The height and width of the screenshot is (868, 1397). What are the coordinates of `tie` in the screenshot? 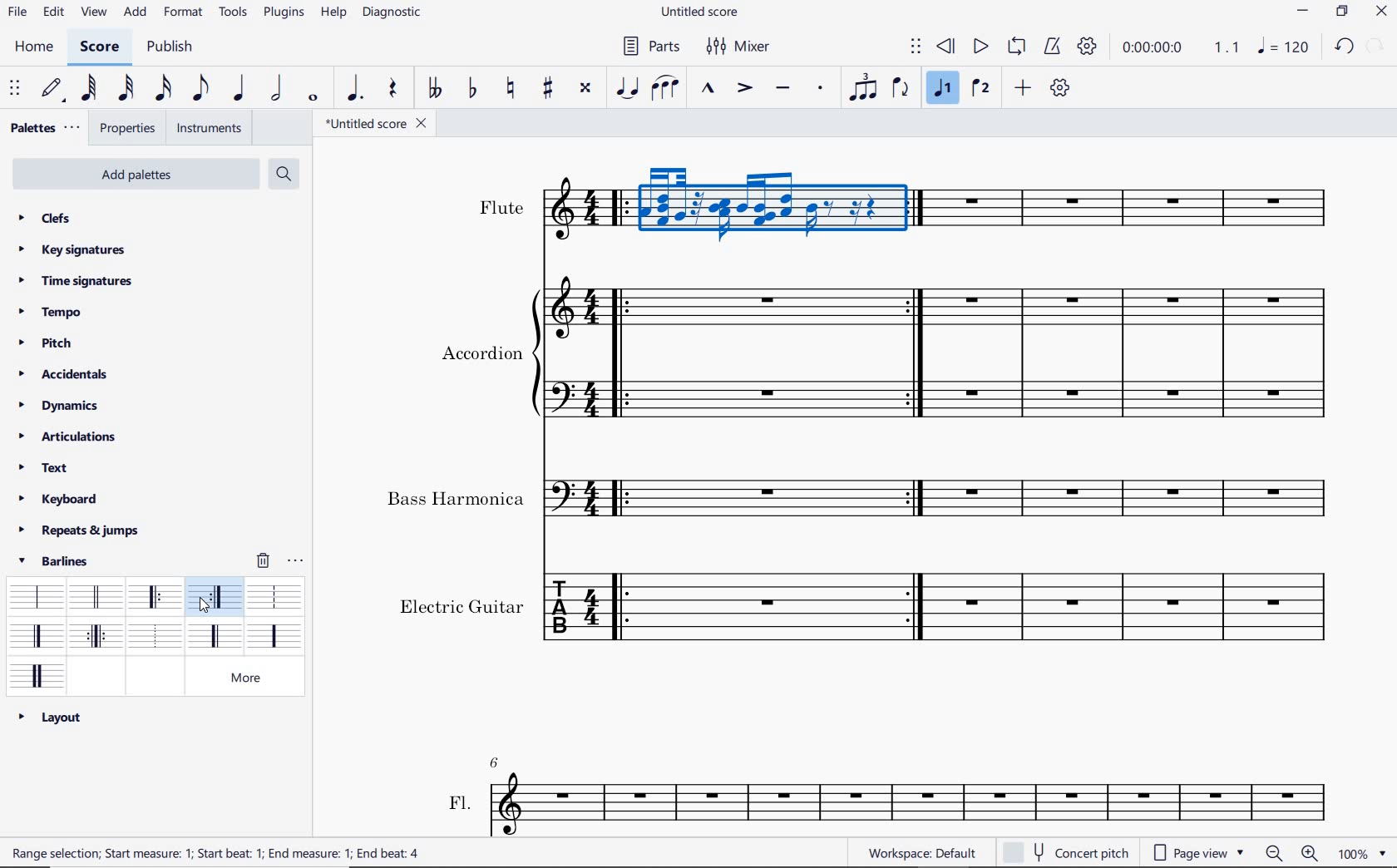 It's located at (627, 86).